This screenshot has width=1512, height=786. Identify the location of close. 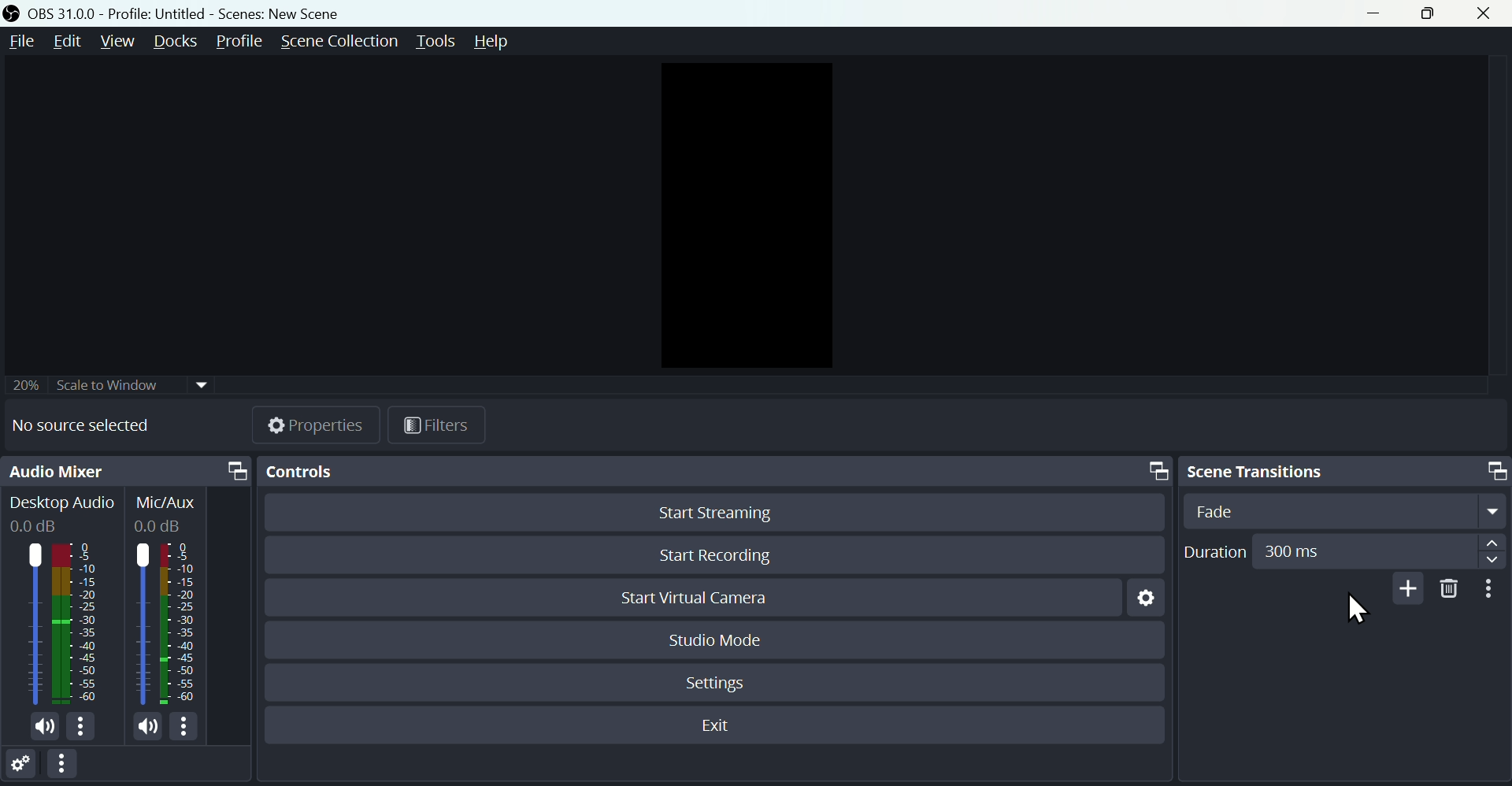
(1488, 13).